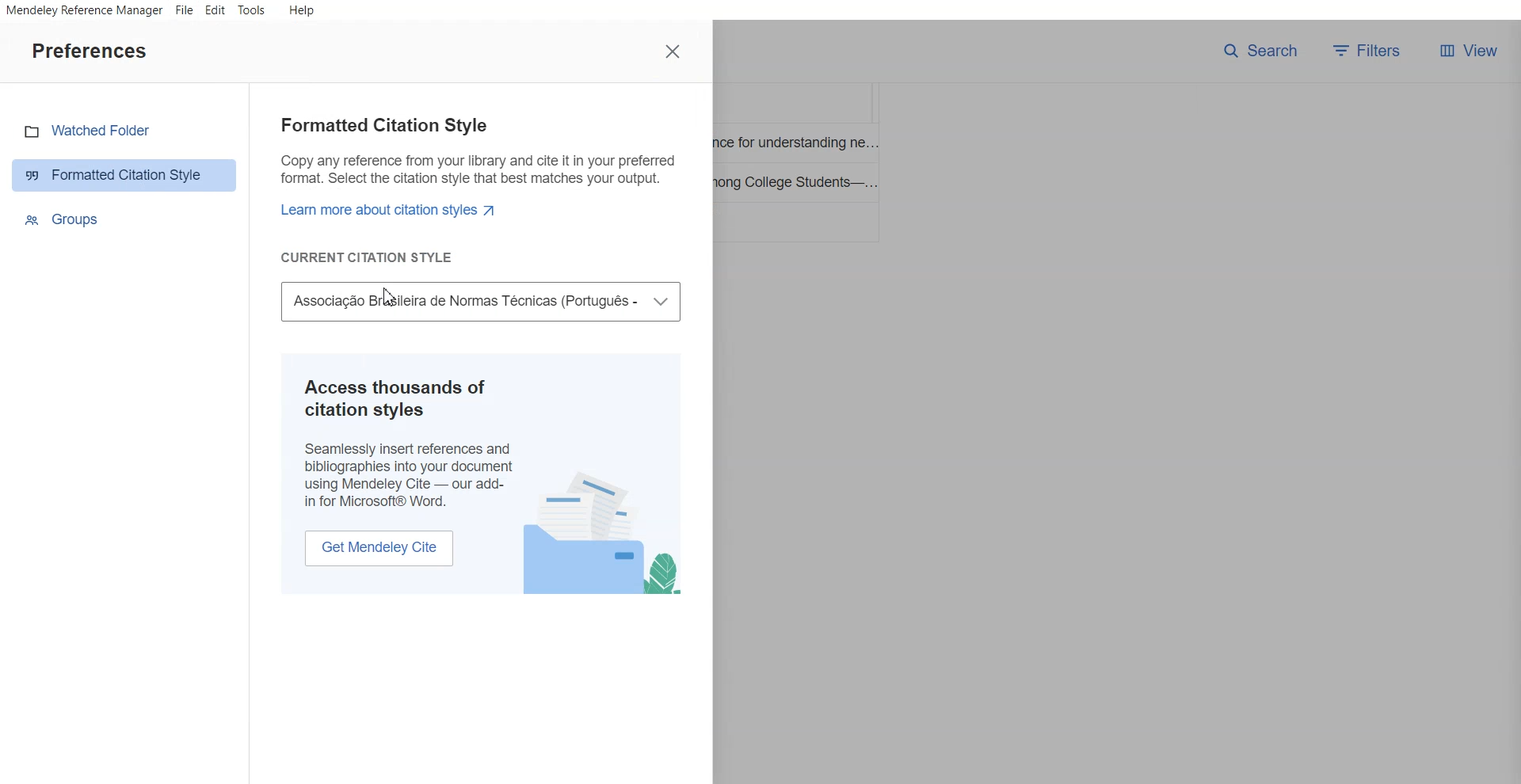 This screenshot has height=784, width=1521. What do you see at coordinates (409, 440) in the screenshot?
I see `Access thousands of citation styles` at bounding box center [409, 440].